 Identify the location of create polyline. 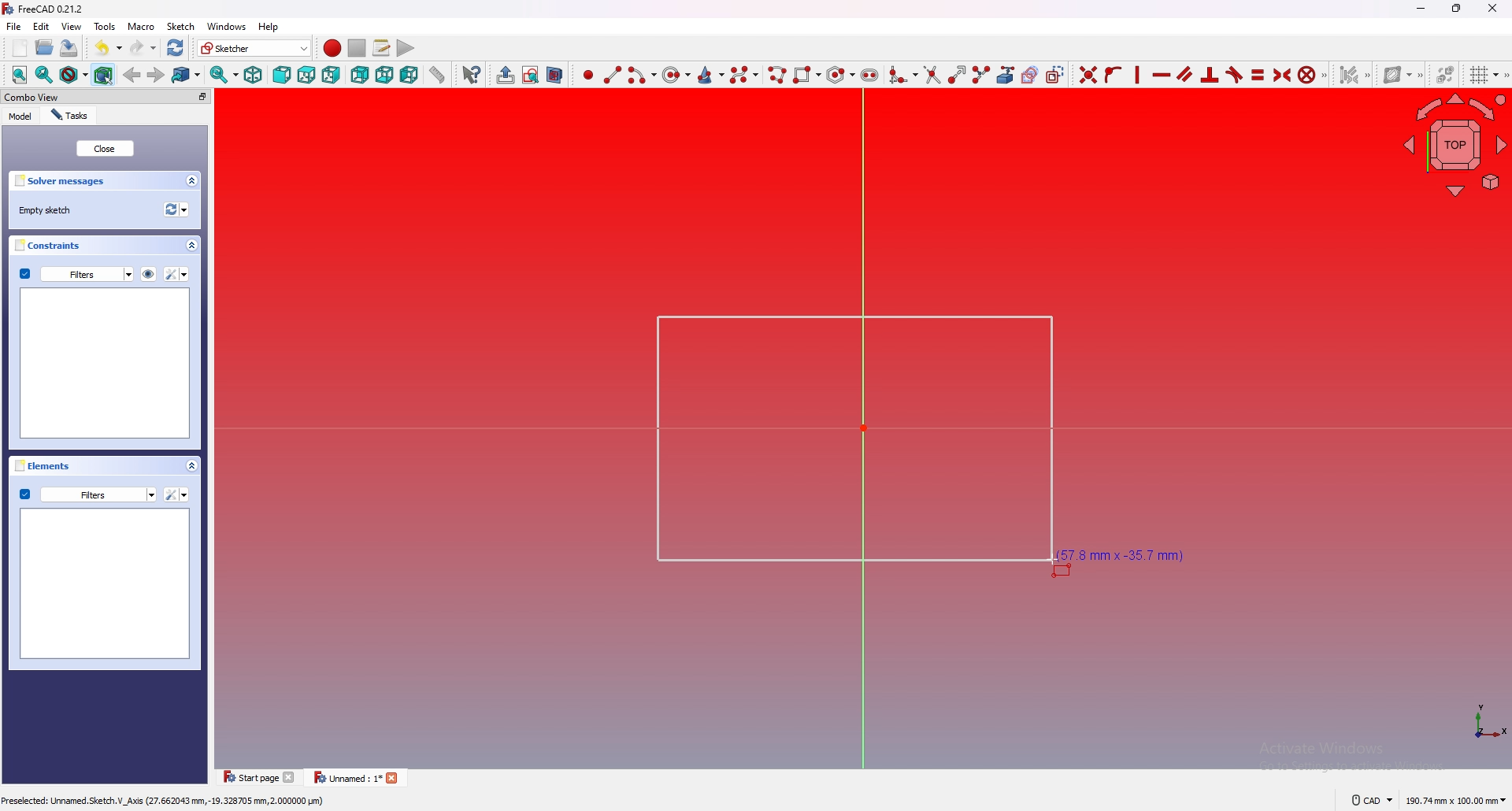
(778, 75).